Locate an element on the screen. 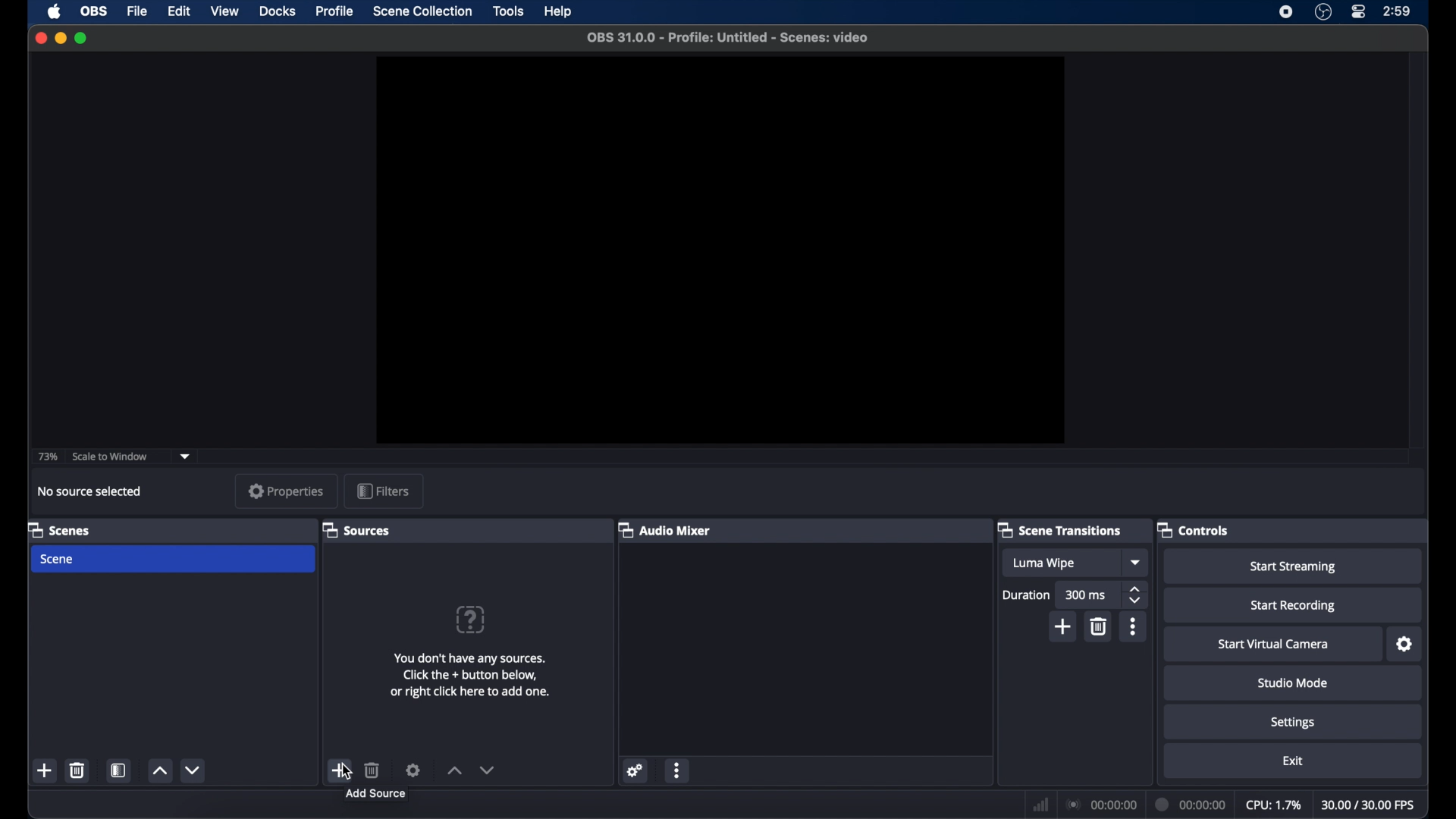 This screenshot has height=819, width=1456. dropdown is located at coordinates (186, 457).